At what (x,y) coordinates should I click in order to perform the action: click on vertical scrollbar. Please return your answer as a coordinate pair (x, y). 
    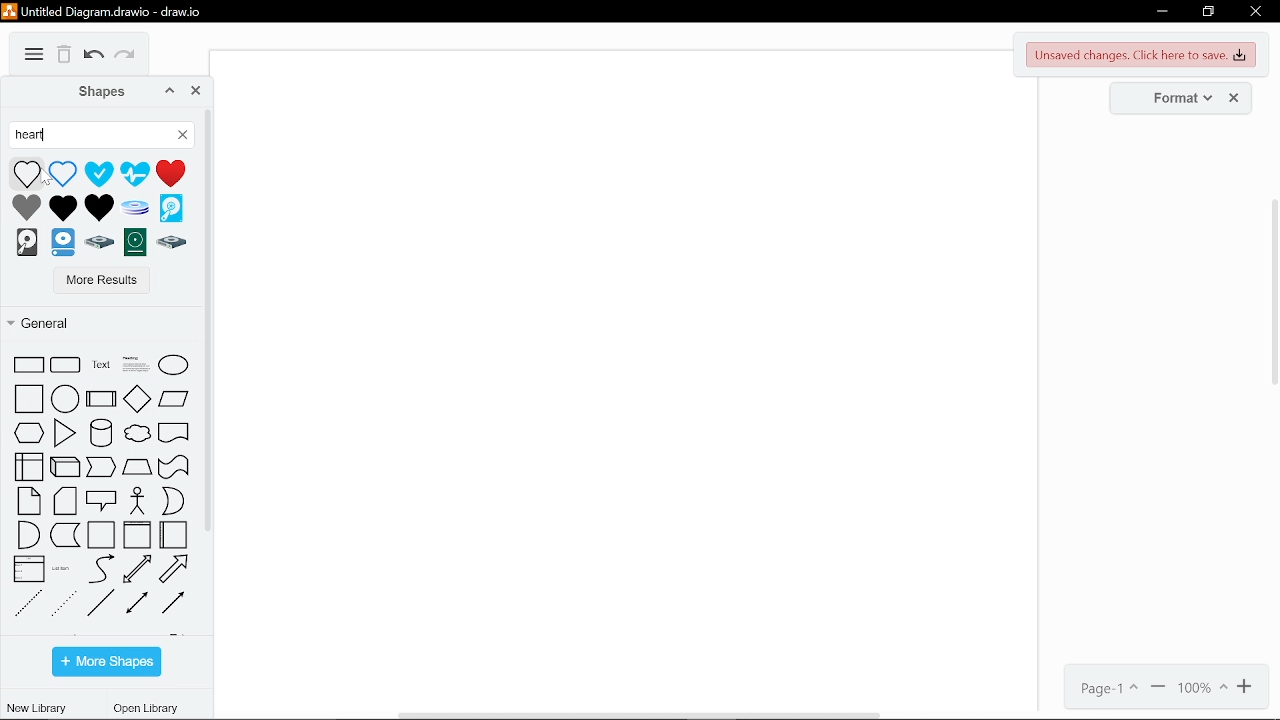
    Looking at the image, I should click on (1272, 291).